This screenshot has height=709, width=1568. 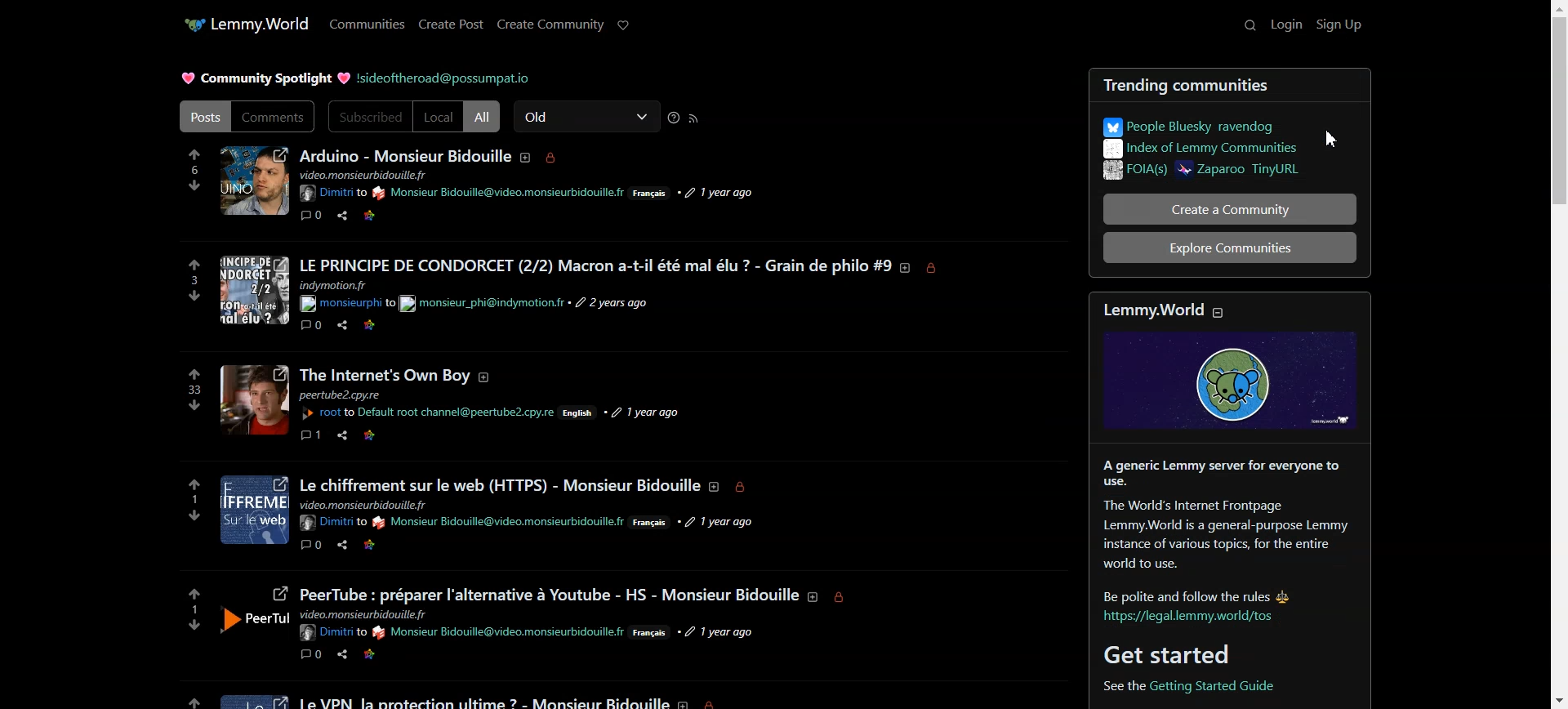 What do you see at coordinates (184, 625) in the screenshot?
I see `downvotes` at bounding box center [184, 625].